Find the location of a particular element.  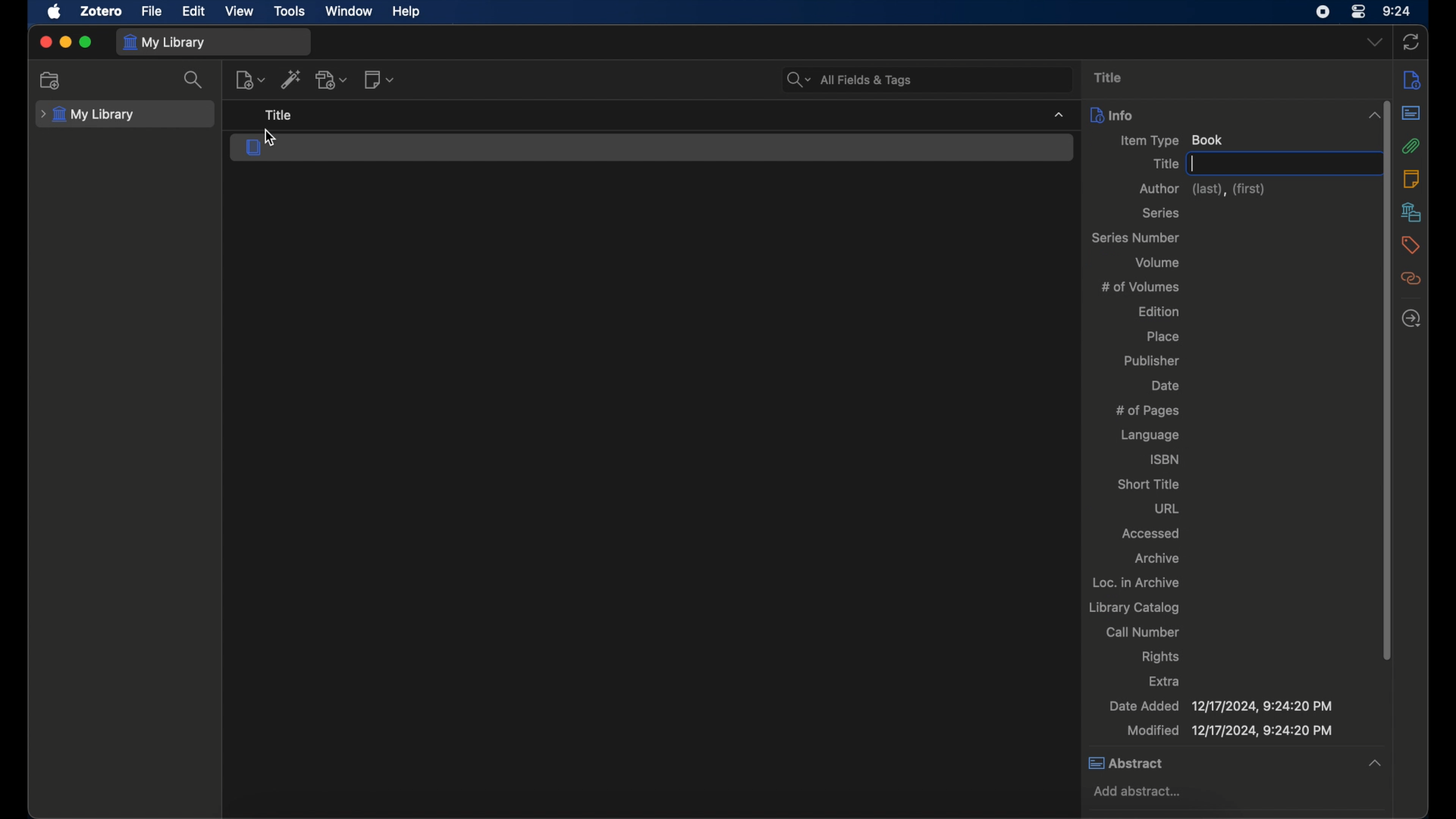

notes is located at coordinates (1411, 177).